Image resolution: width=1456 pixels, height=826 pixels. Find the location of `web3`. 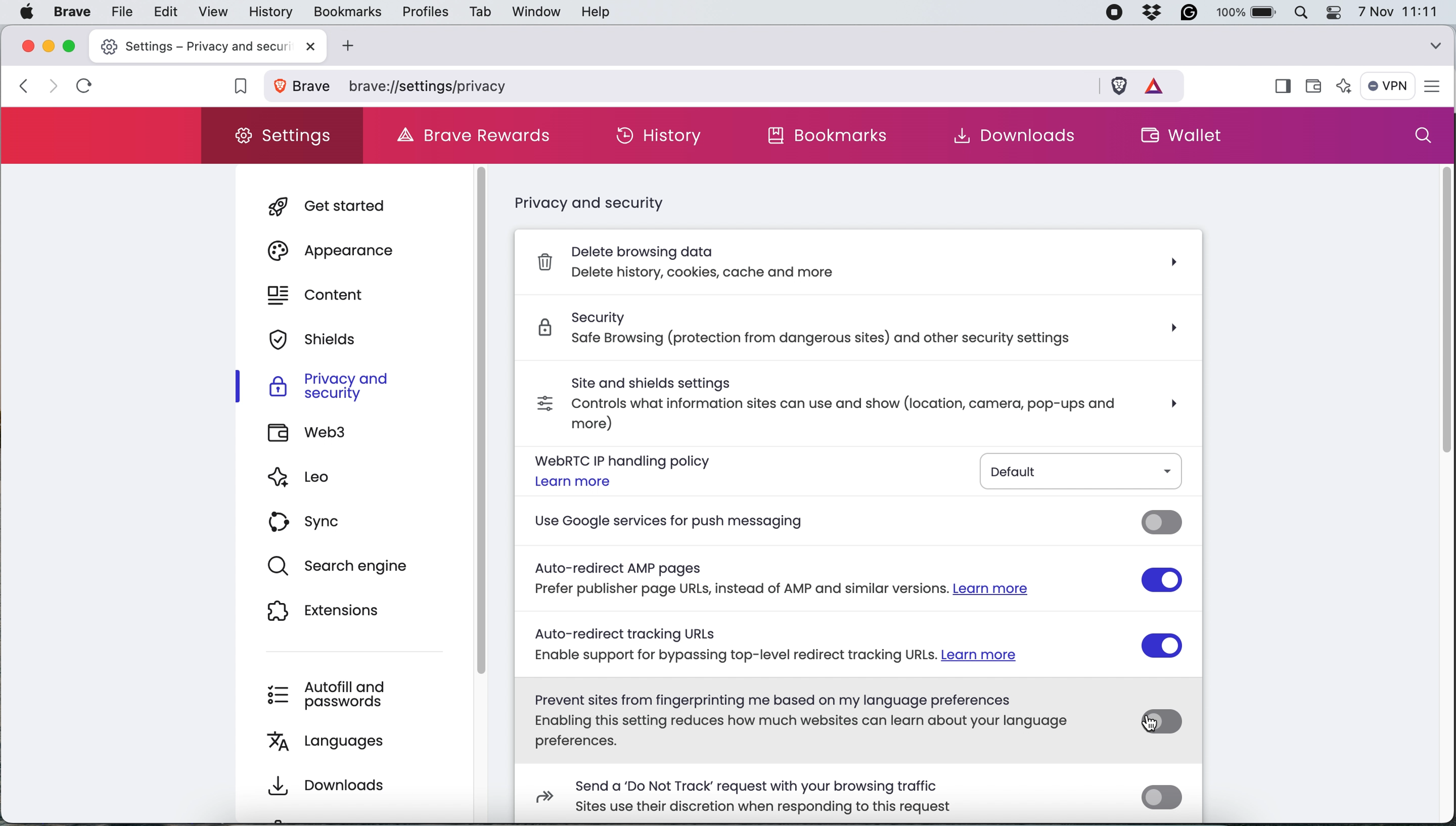

web3 is located at coordinates (314, 432).